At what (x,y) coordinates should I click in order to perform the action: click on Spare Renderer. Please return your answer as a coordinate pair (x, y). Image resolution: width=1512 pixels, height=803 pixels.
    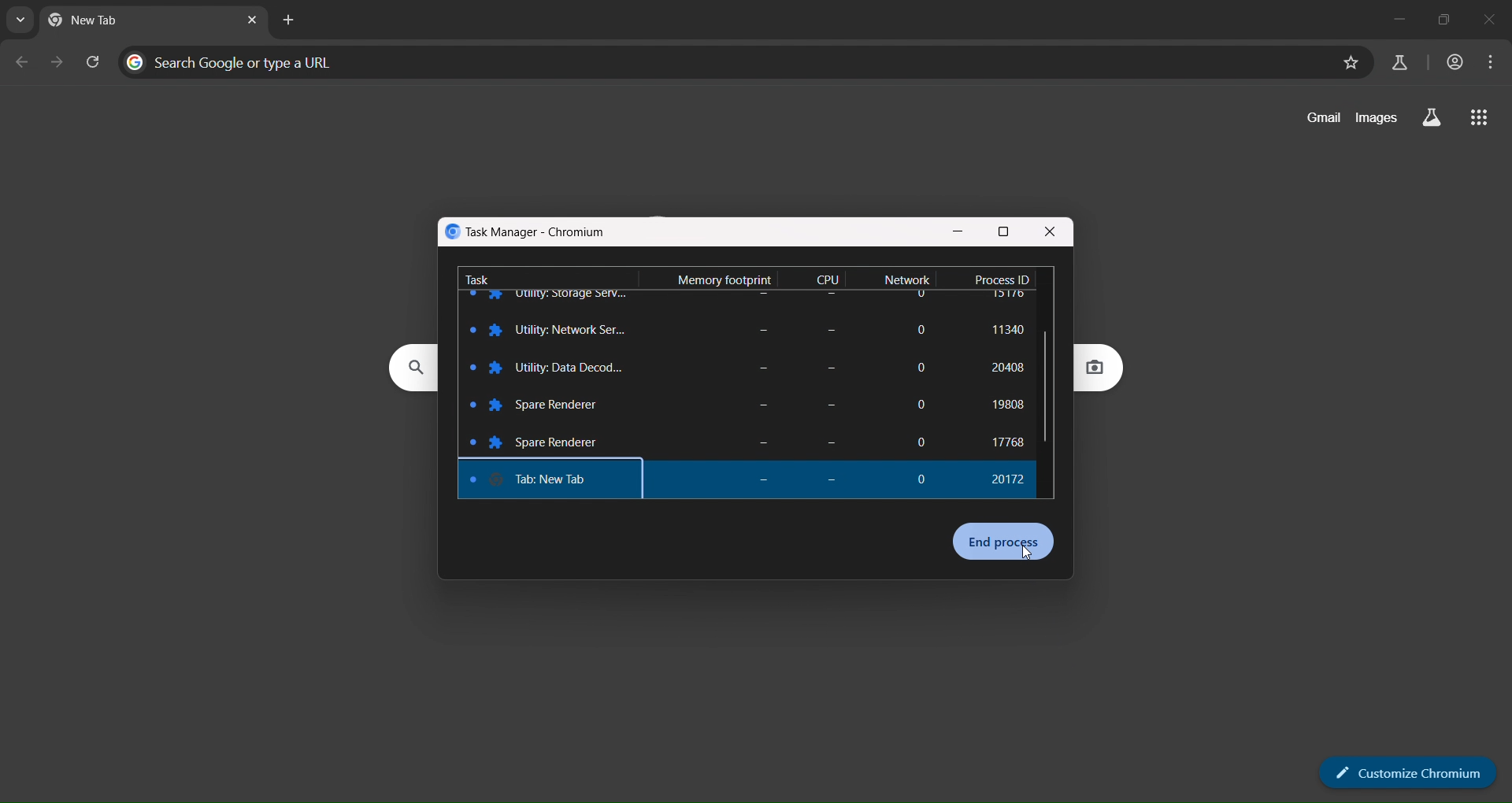
    Looking at the image, I should click on (564, 441).